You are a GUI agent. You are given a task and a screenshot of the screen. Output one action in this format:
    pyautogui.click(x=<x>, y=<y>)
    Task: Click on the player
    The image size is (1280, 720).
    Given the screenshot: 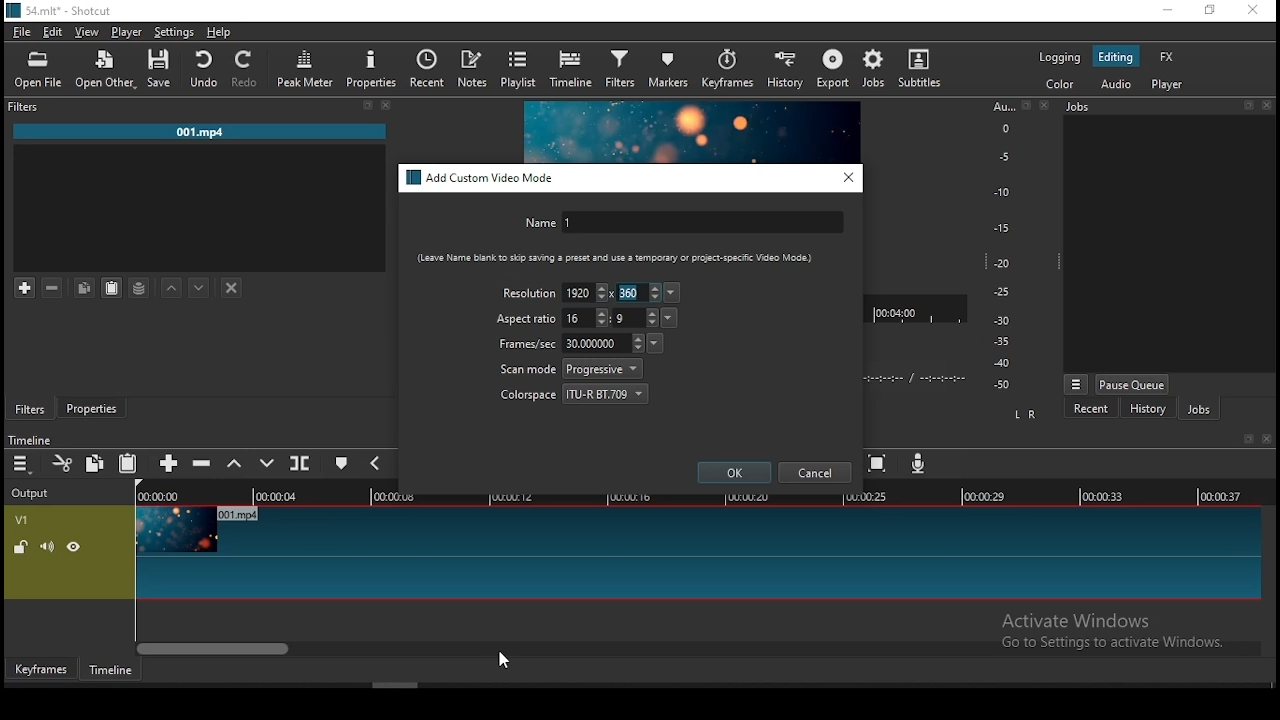 What is the action you would take?
    pyautogui.click(x=1170, y=85)
    